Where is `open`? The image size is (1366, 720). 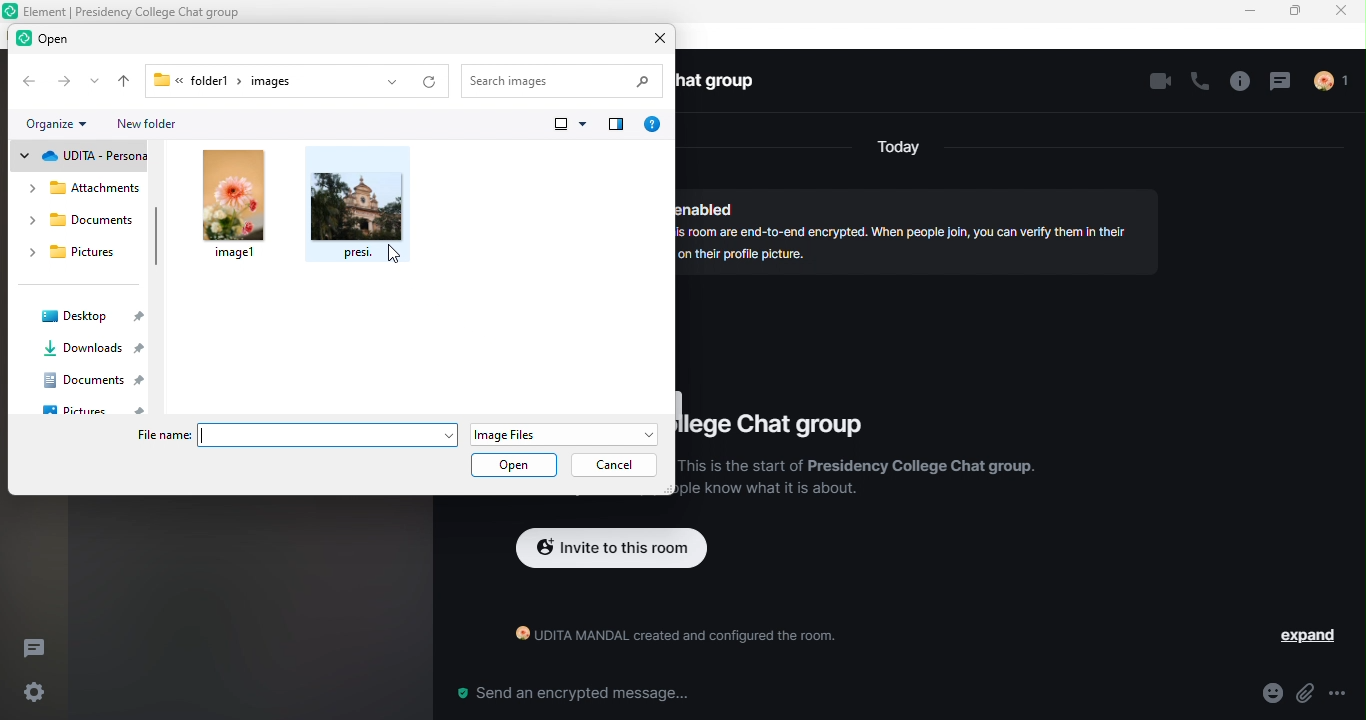
open is located at coordinates (514, 463).